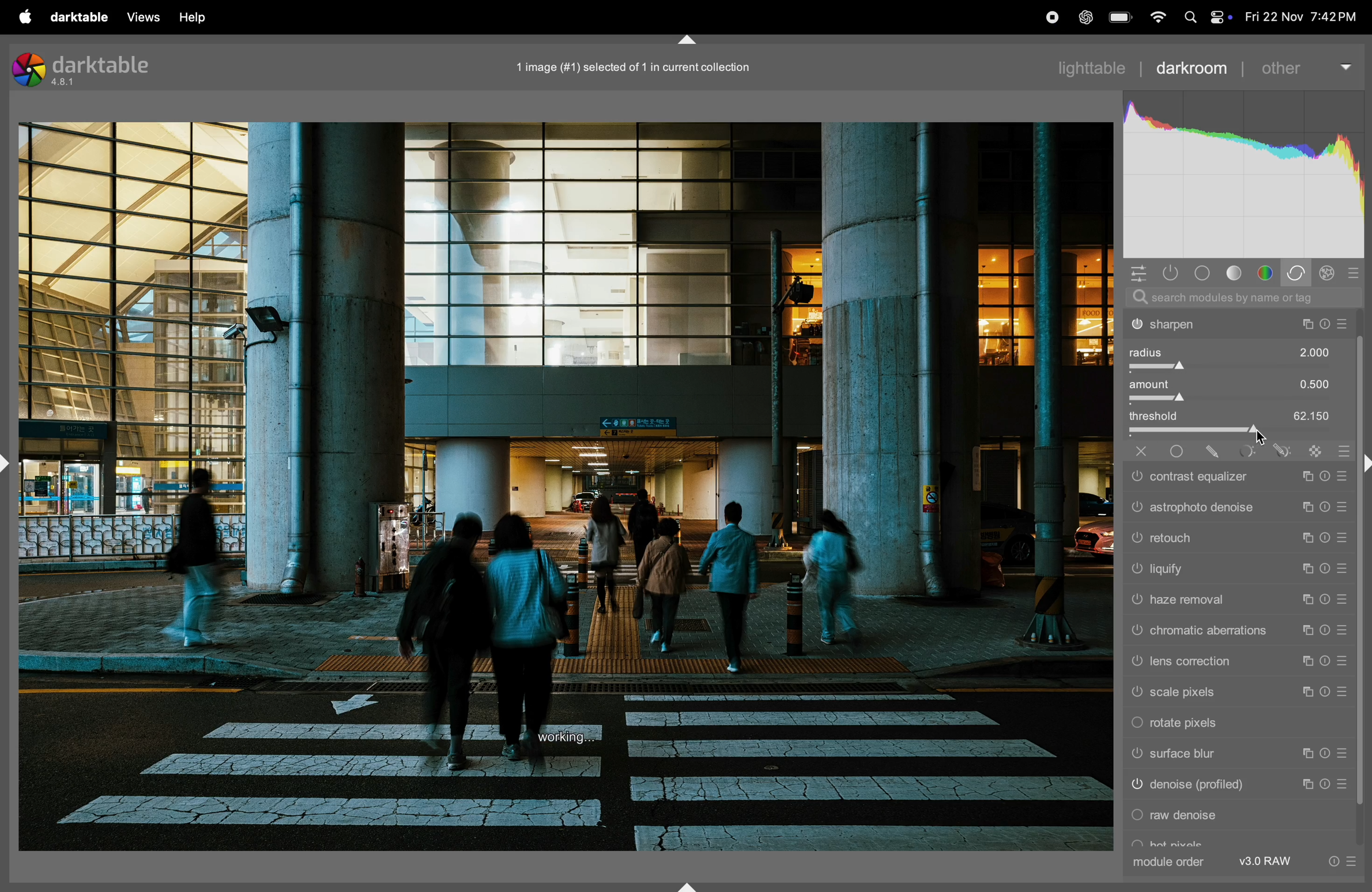 The image size is (1372, 892). I want to click on apple widgets, so click(1220, 17).